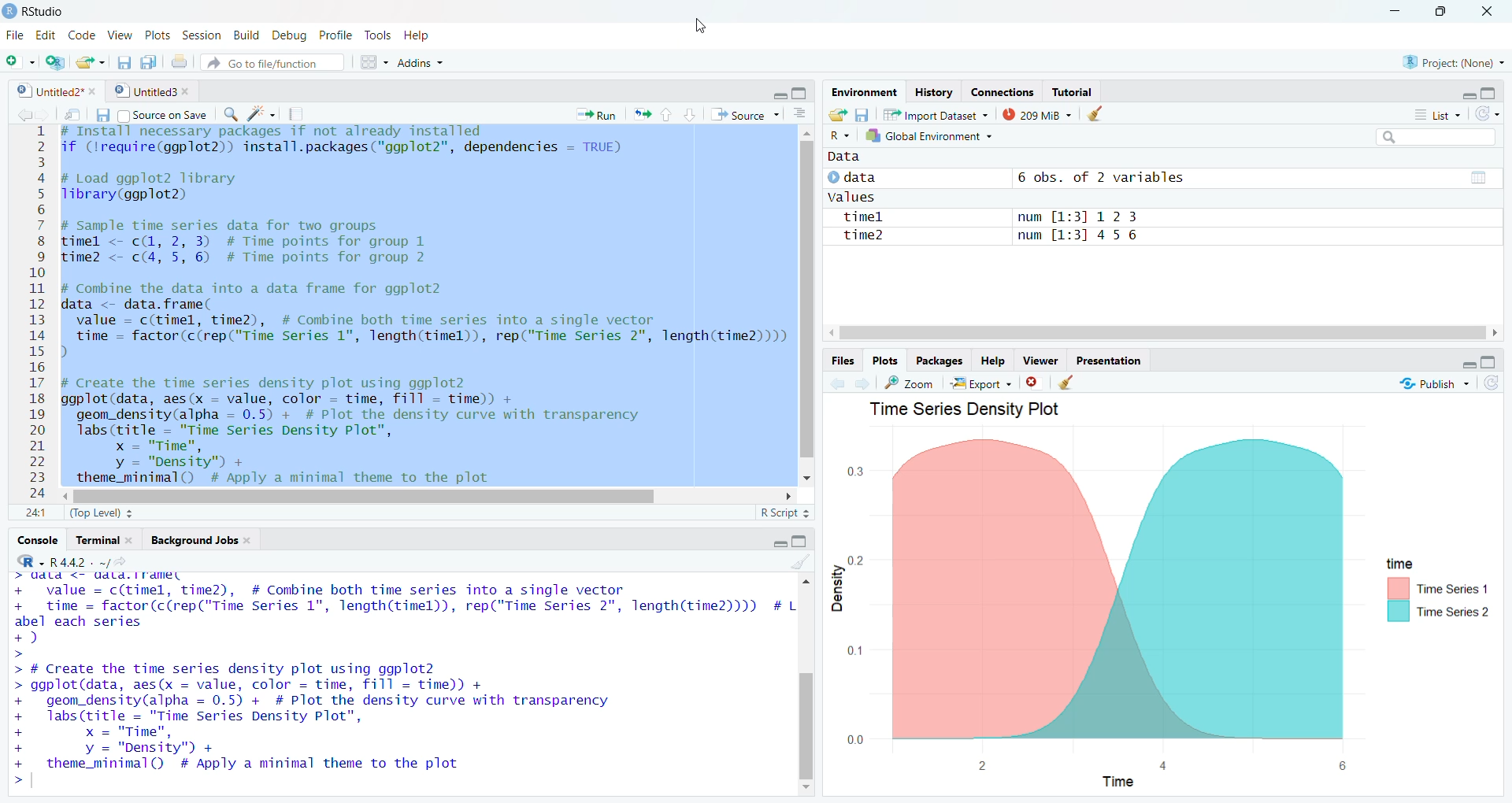 This screenshot has height=803, width=1512. I want to click on Refresh, so click(1492, 387).